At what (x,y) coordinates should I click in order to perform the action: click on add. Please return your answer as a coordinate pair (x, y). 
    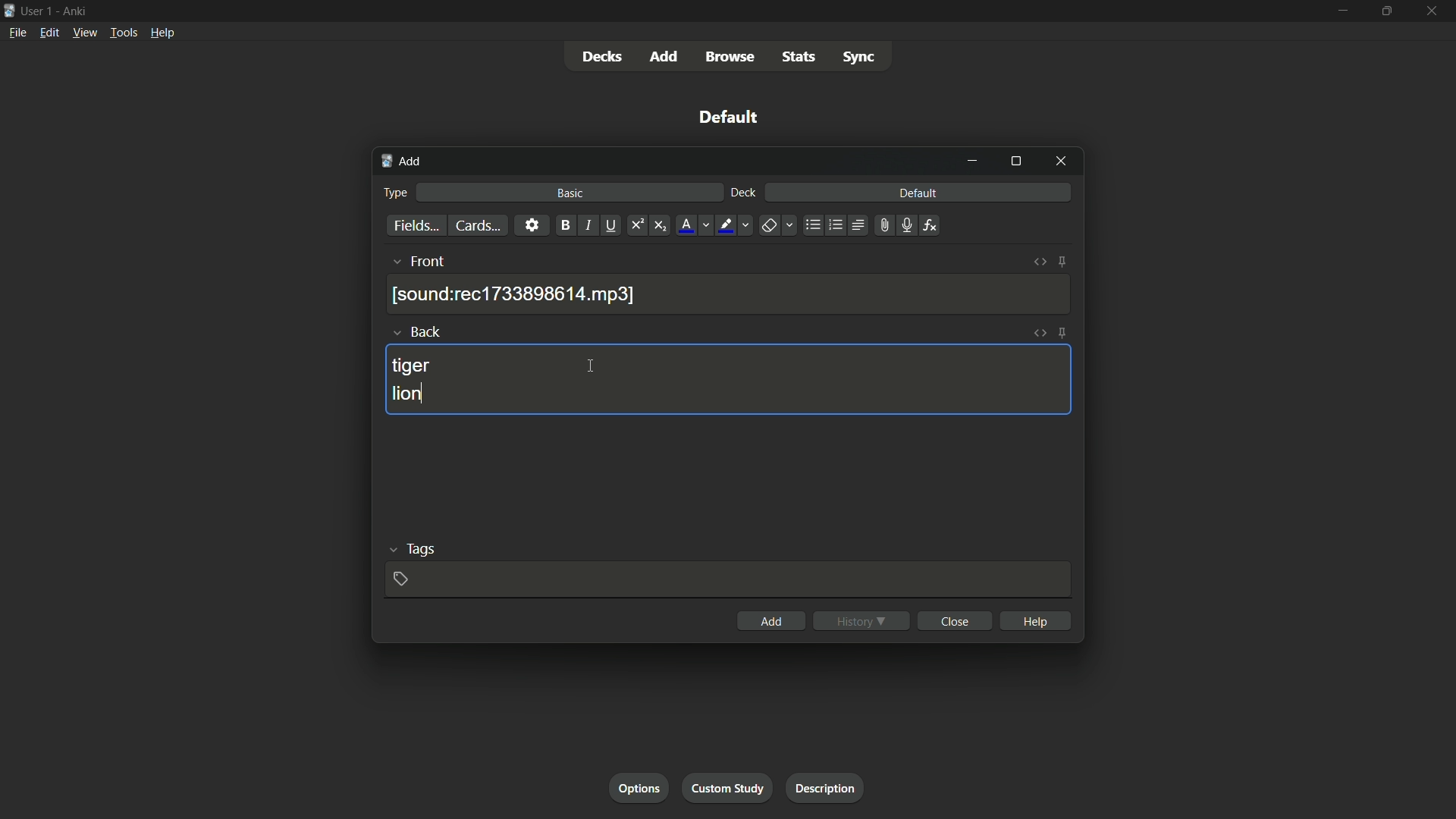
    Looking at the image, I should click on (401, 162).